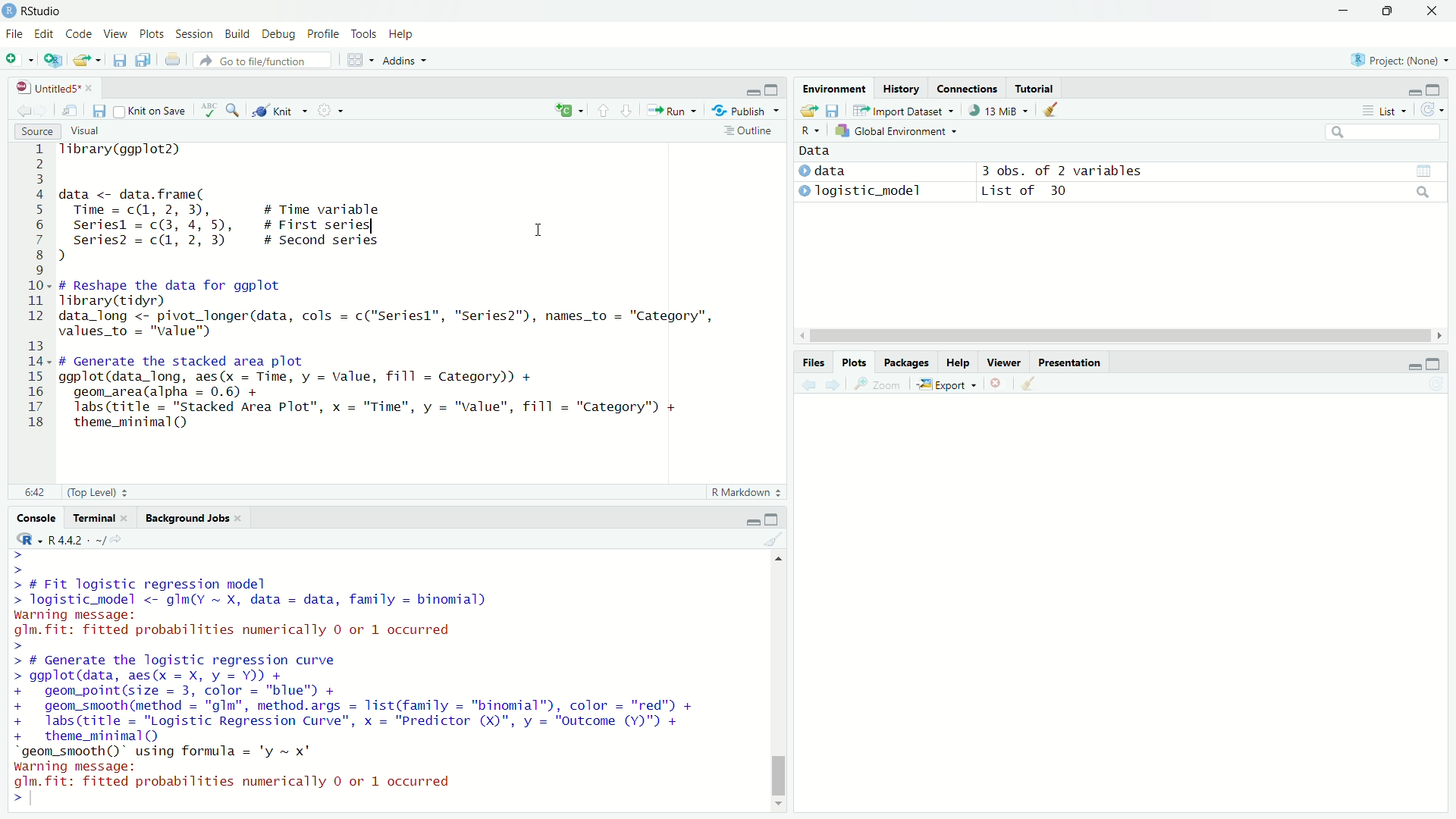 This screenshot has height=819, width=1456. I want to click on downward, so click(630, 113).